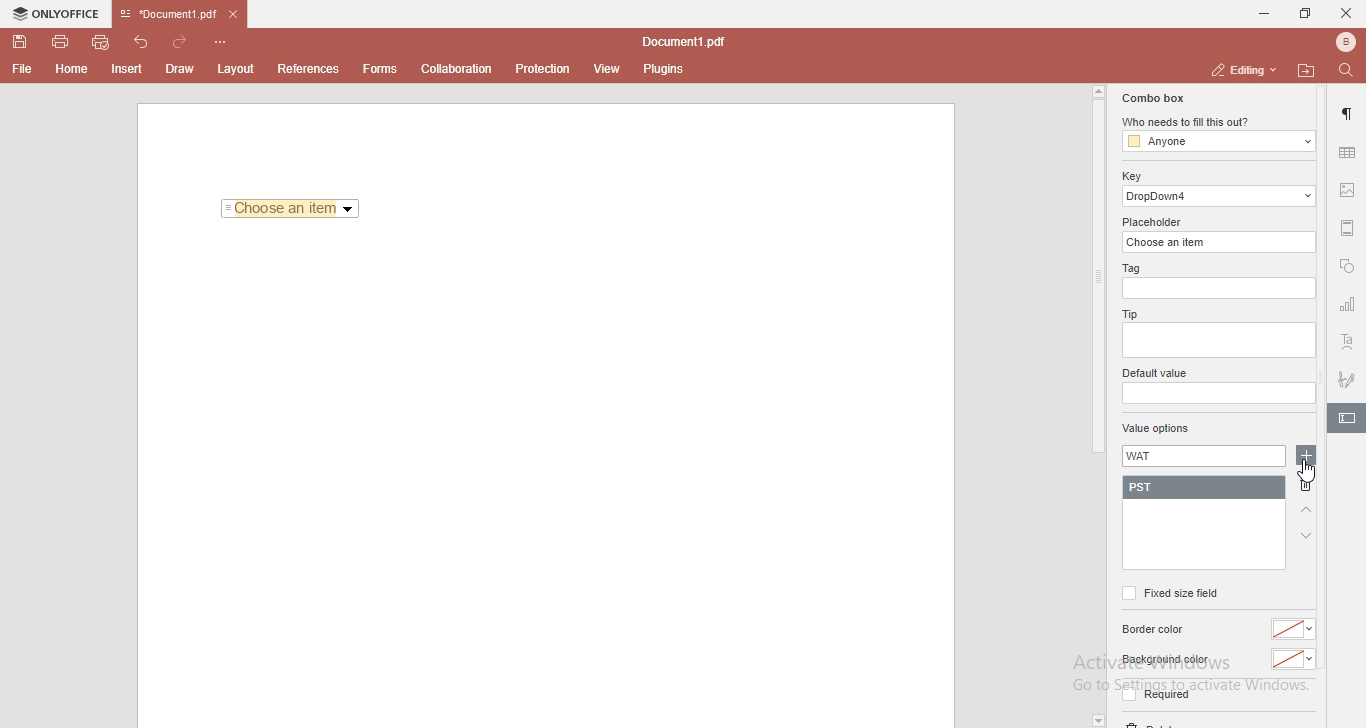 This screenshot has width=1366, height=728. Describe the element at coordinates (1217, 342) in the screenshot. I see `empty box` at that location.